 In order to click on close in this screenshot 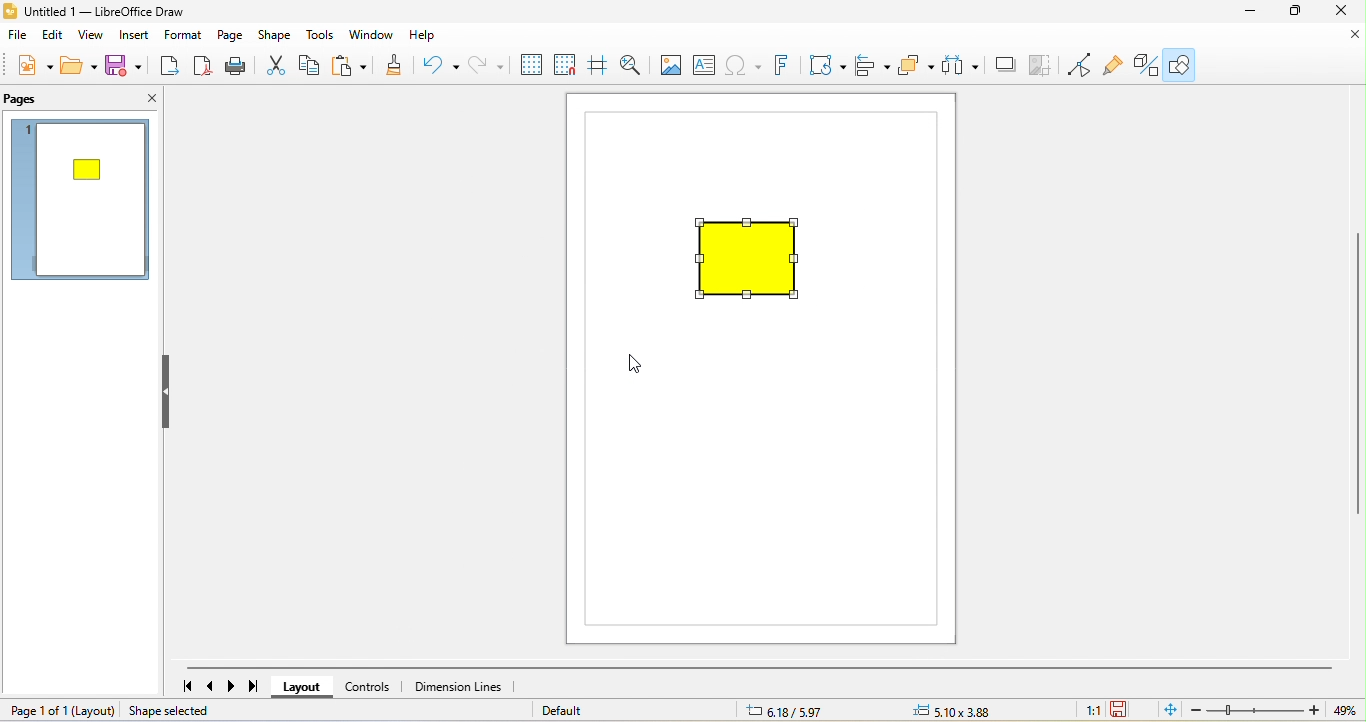, I will do `click(140, 97)`.